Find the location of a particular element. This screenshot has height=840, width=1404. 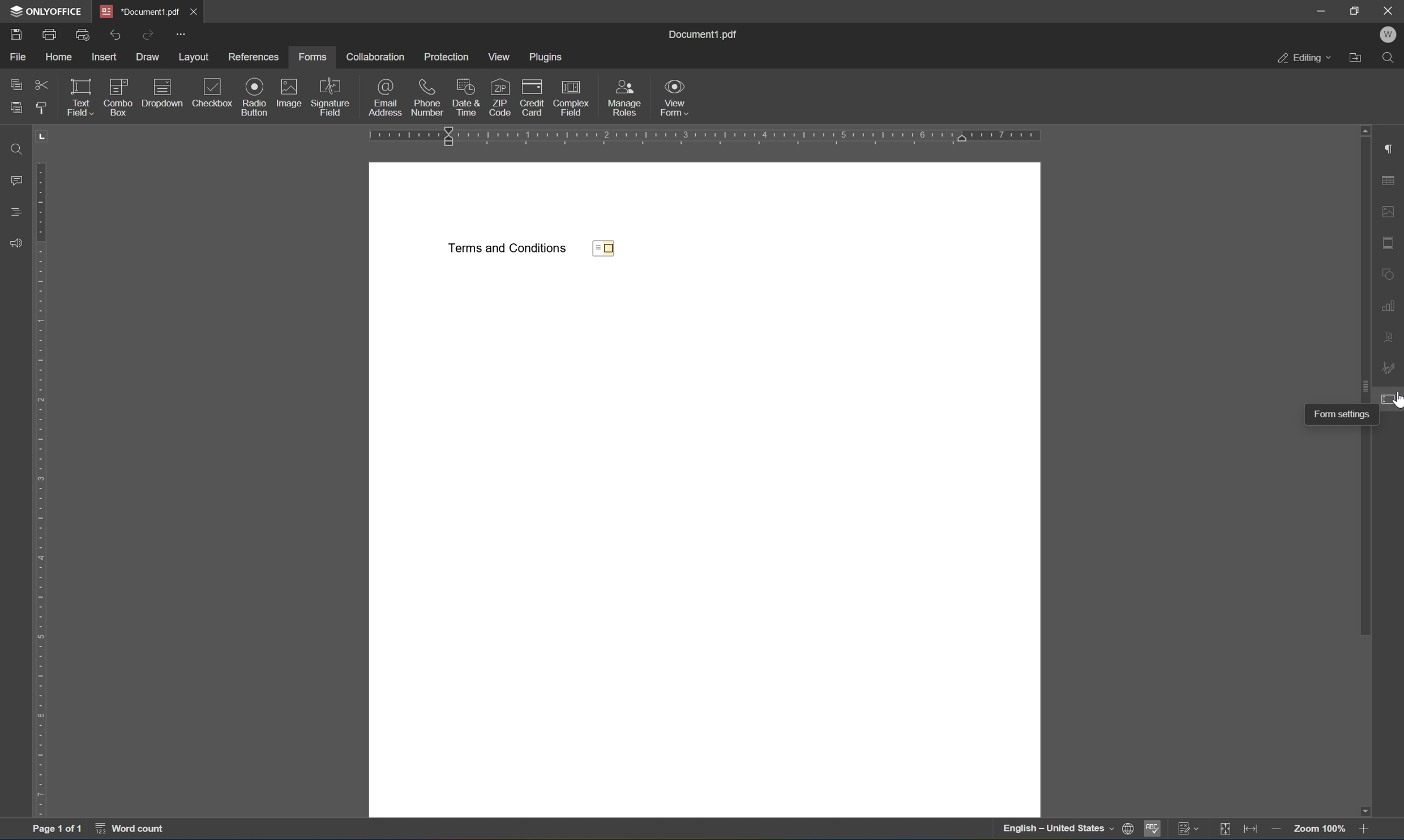

 is located at coordinates (628, 97).